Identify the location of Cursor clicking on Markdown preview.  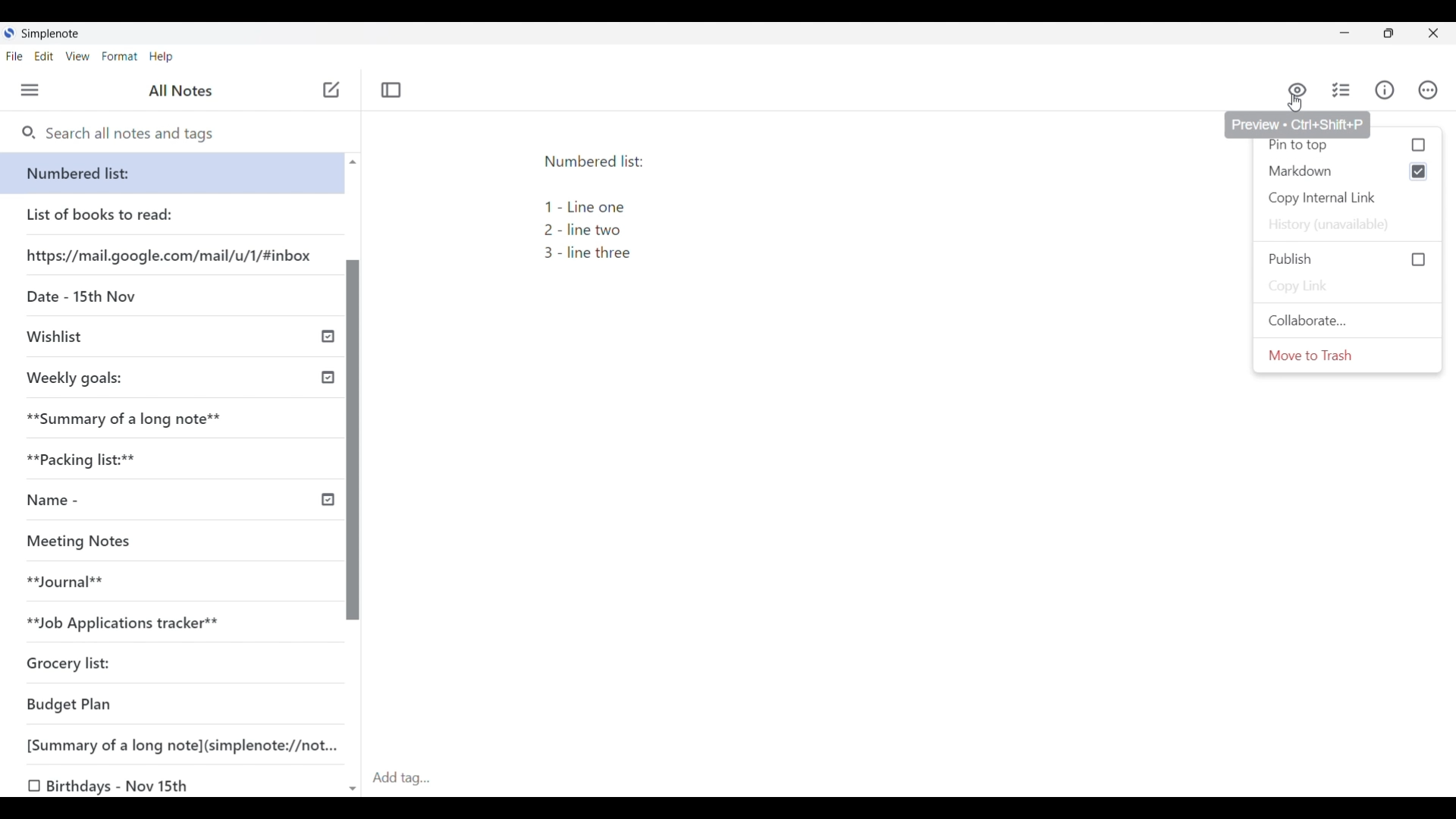
(1295, 103).